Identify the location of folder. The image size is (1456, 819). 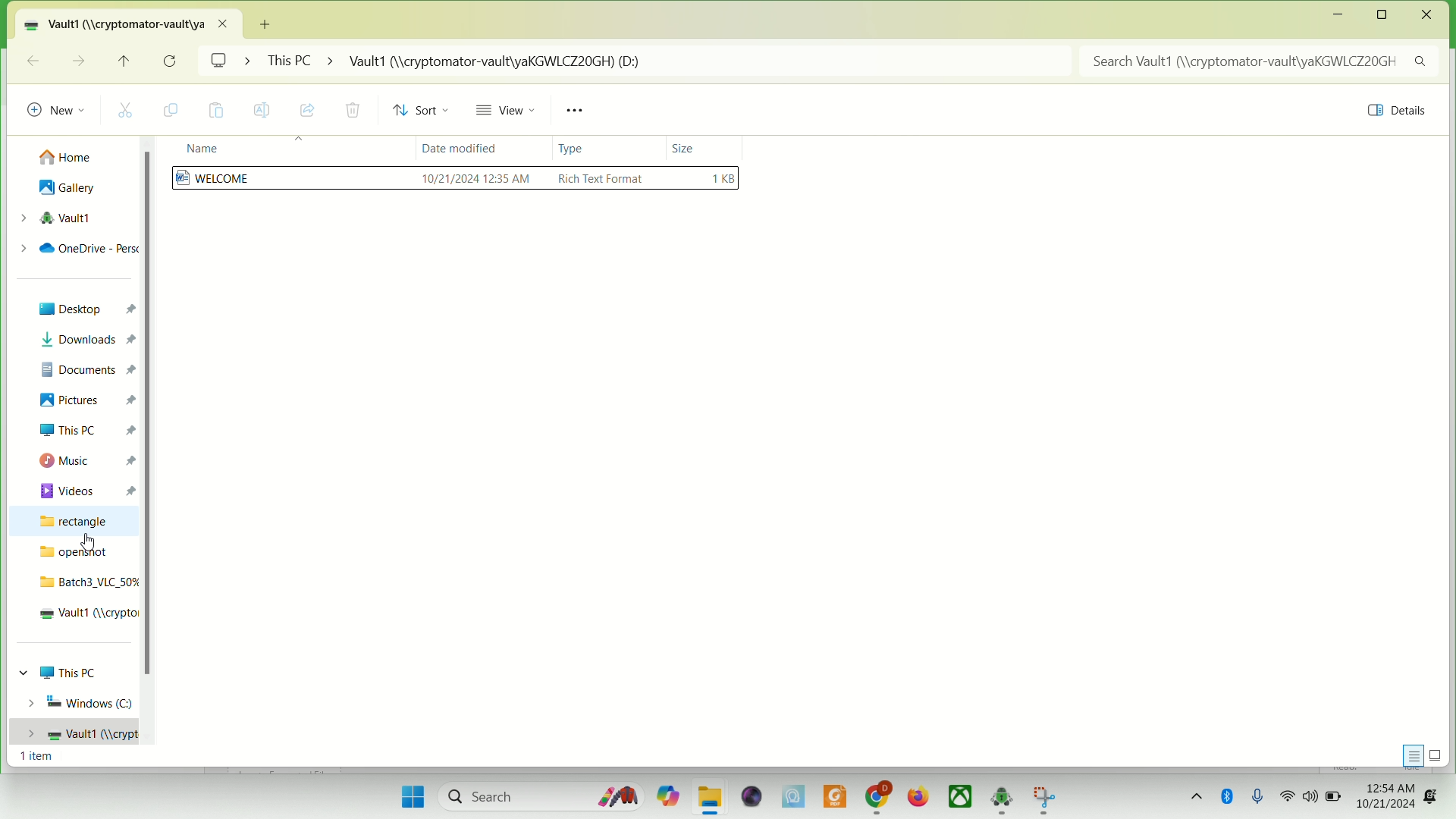
(711, 798).